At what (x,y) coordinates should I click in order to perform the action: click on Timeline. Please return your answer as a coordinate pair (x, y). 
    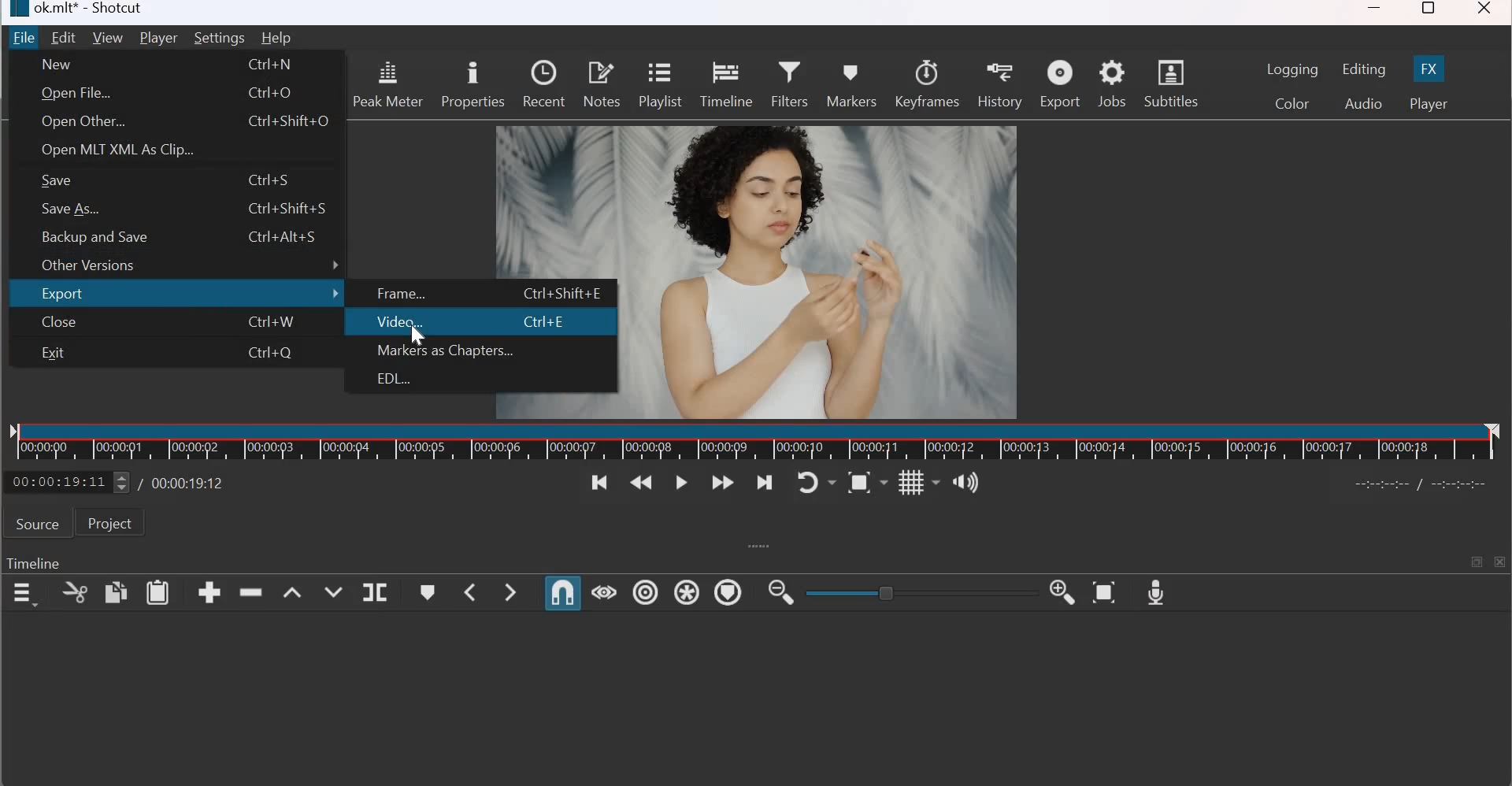
    Looking at the image, I should click on (760, 443).